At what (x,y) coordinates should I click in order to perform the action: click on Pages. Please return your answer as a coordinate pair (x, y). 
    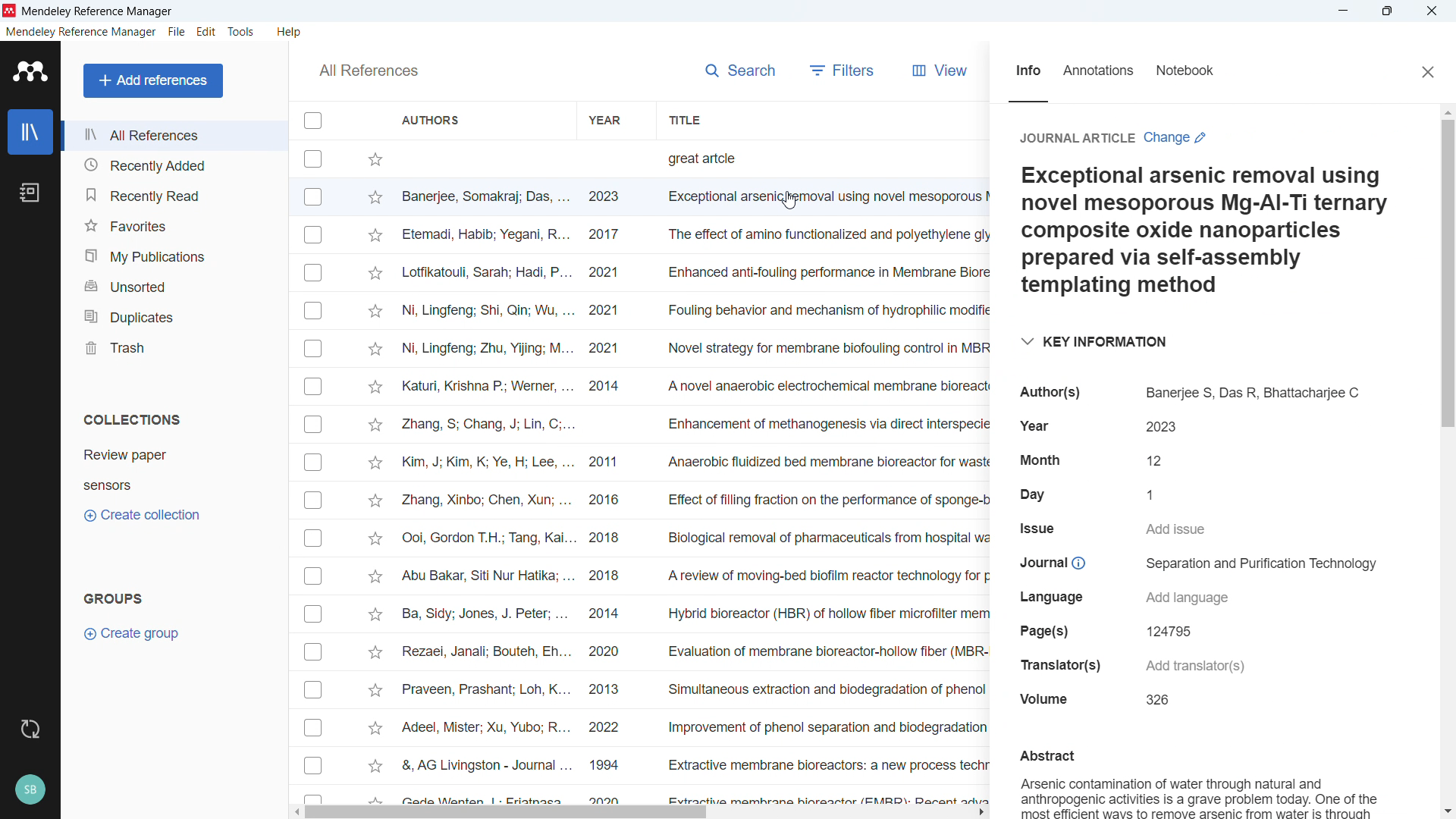
    Looking at the image, I should click on (1044, 631).